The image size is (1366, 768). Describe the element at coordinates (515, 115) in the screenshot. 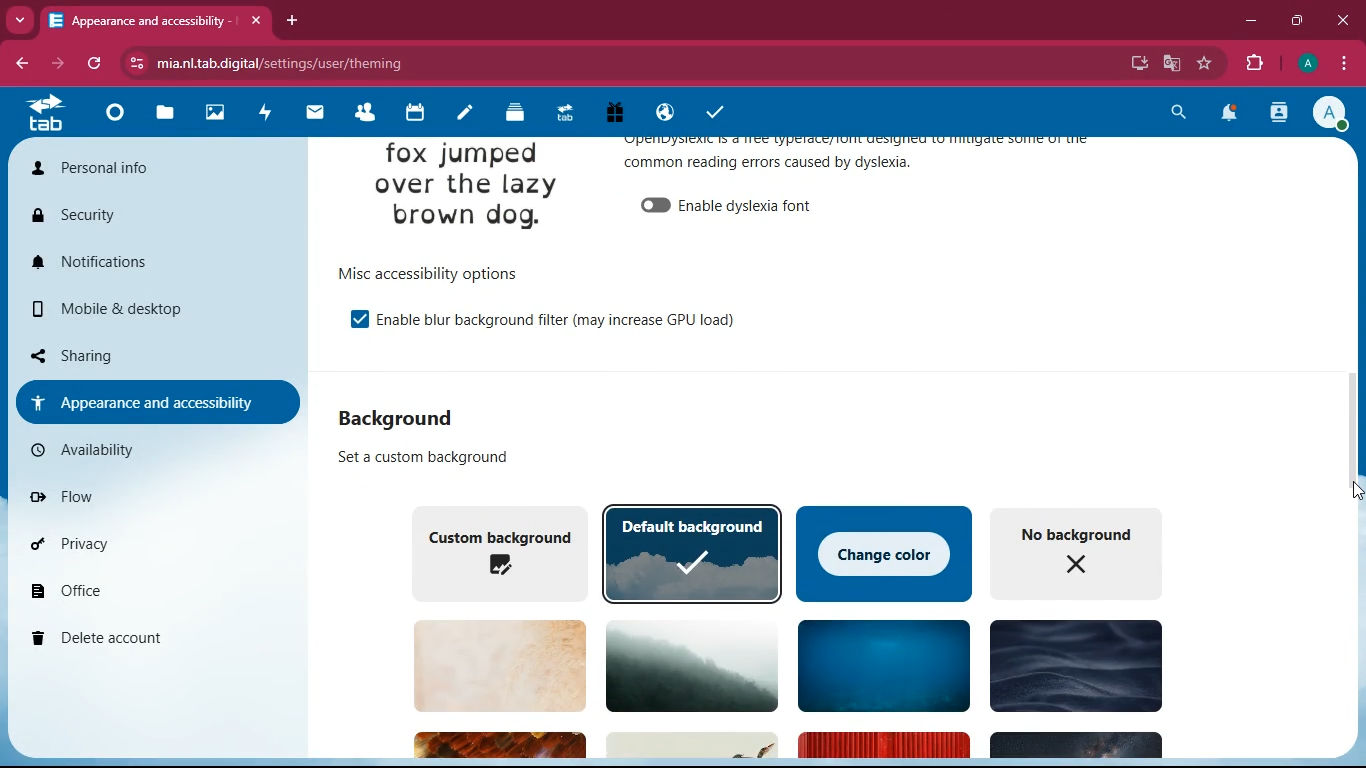

I see `layers` at that location.